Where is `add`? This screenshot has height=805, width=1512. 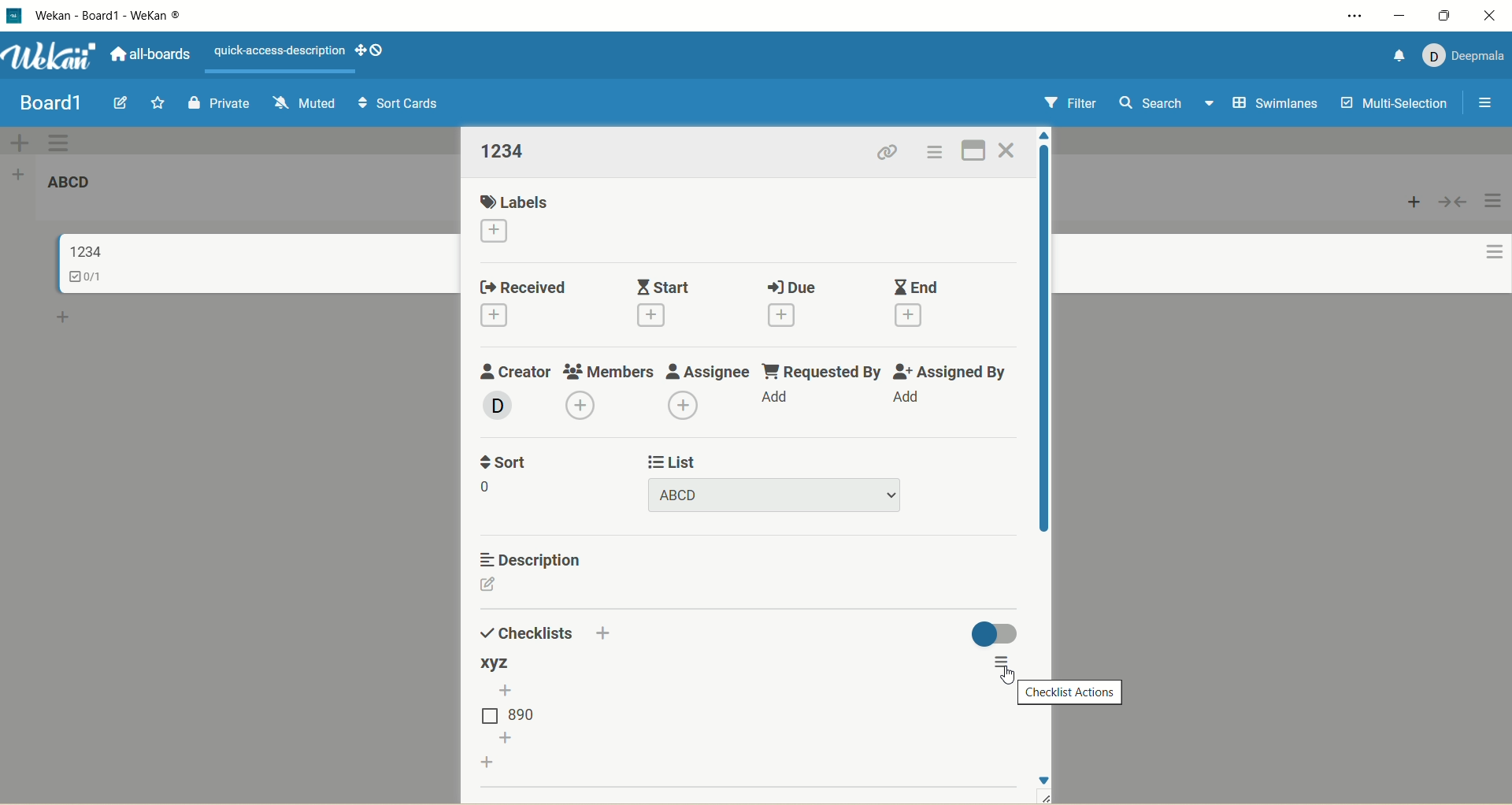
add is located at coordinates (916, 399).